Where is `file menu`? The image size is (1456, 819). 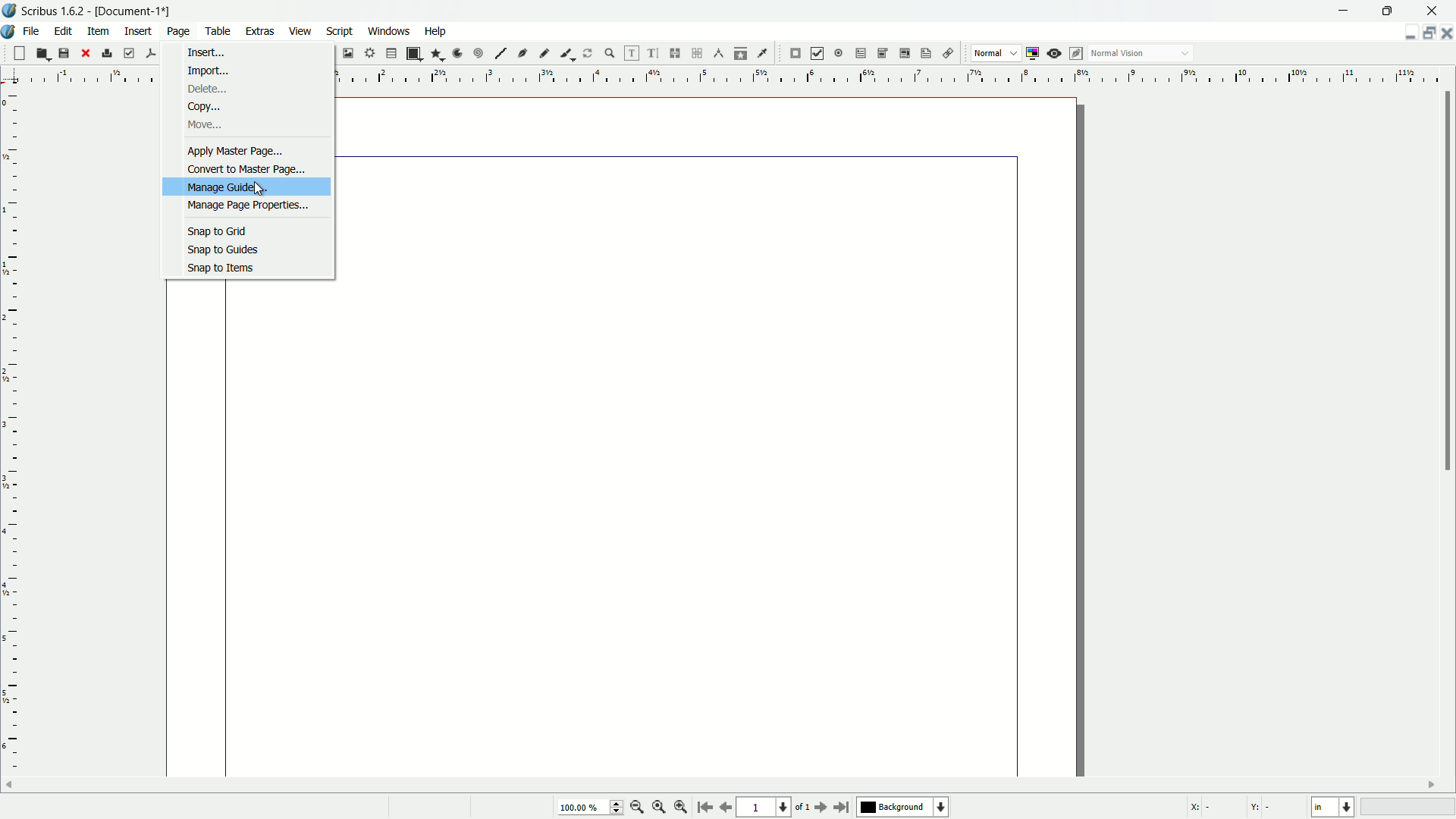 file menu is located at coordinates (34, 30).